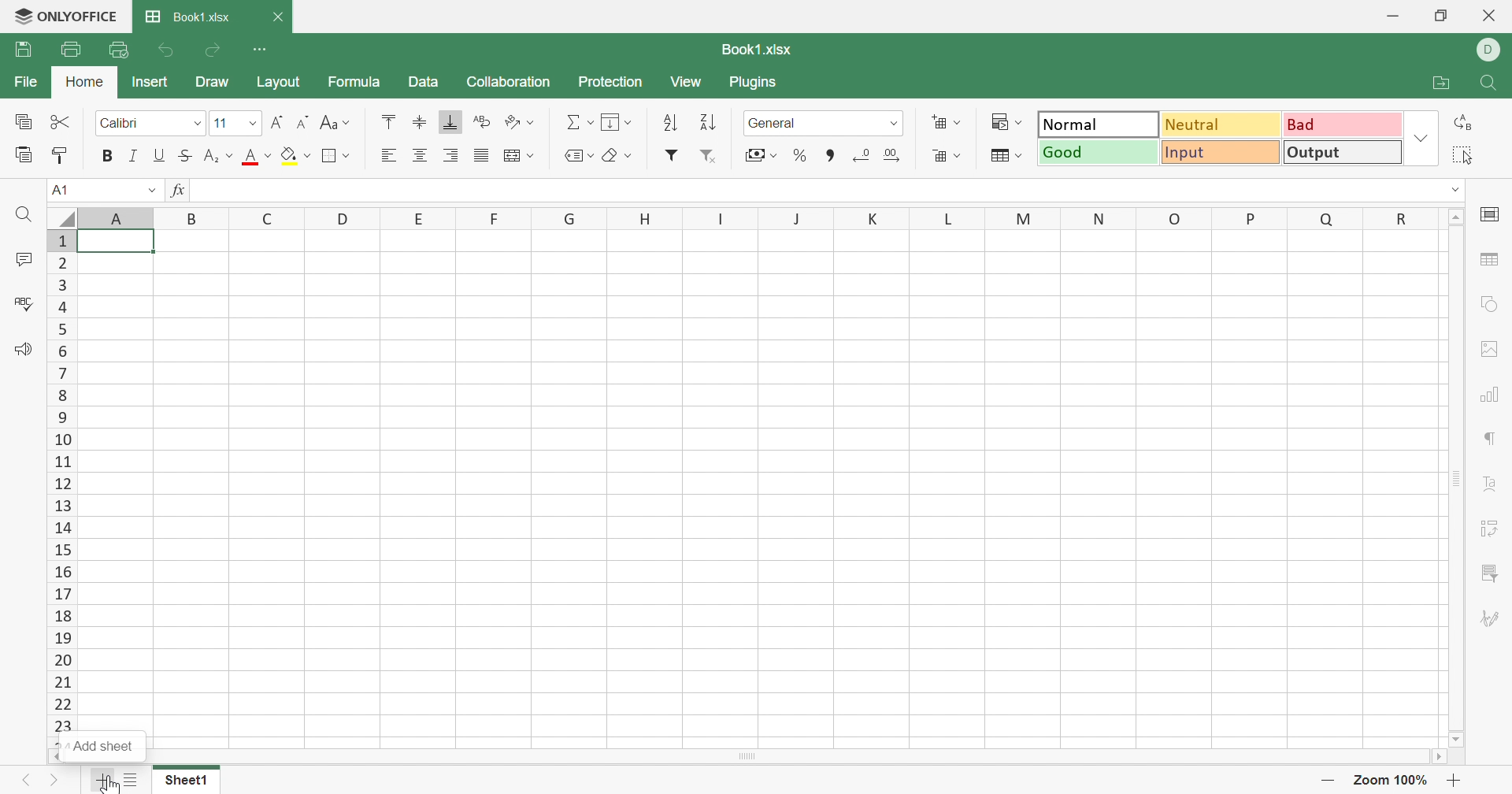 The height and width of the screenshot is (794, 1512). What do you see at coordinates (109, 783) in the screenshot?
I see `cursor` at bounding box center [109, 783].